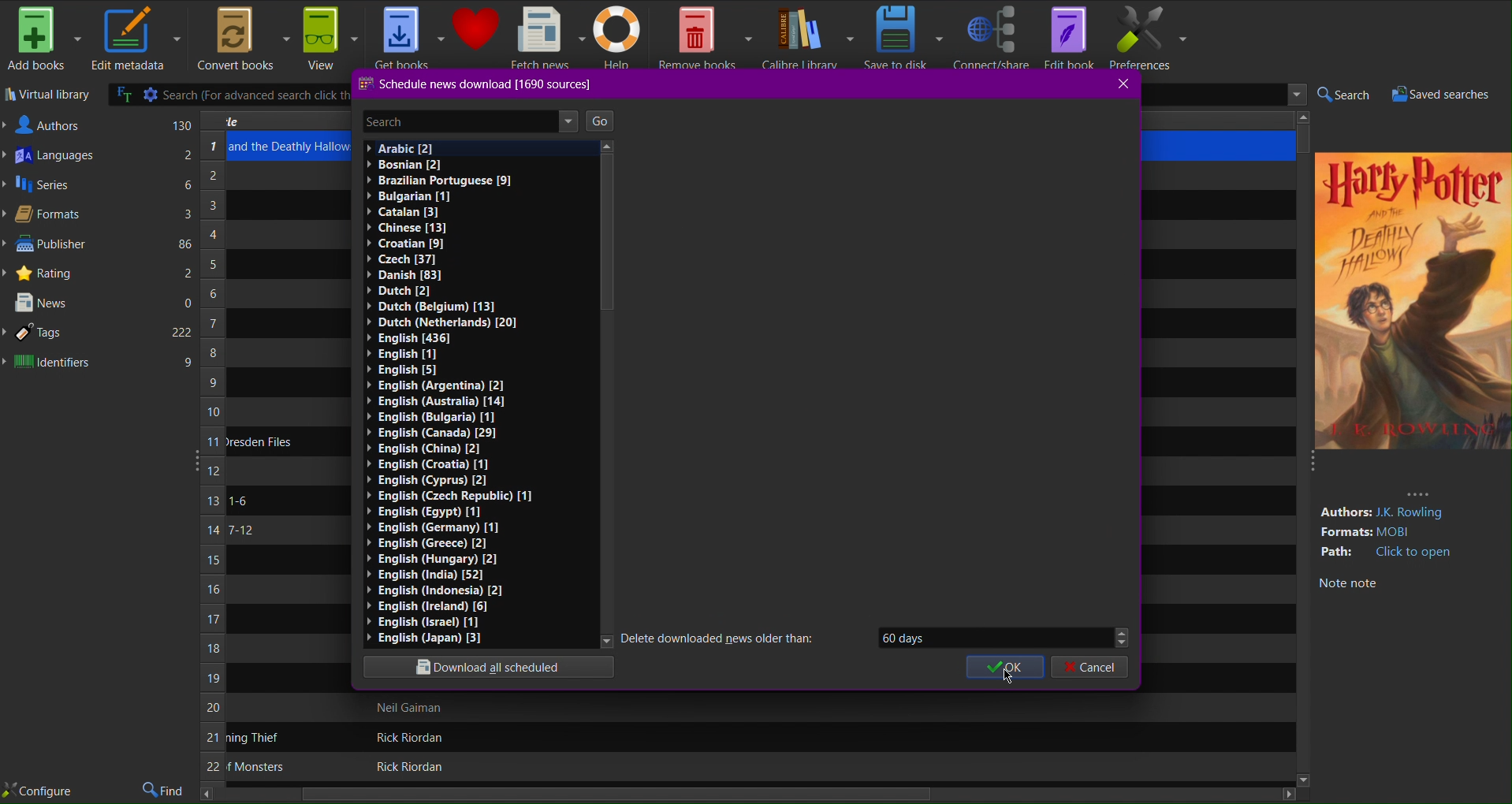 This screenshot has height=804, width=1512. Describe the element at coordinates (101, 304) in the screenshot. I see `News` at that location.